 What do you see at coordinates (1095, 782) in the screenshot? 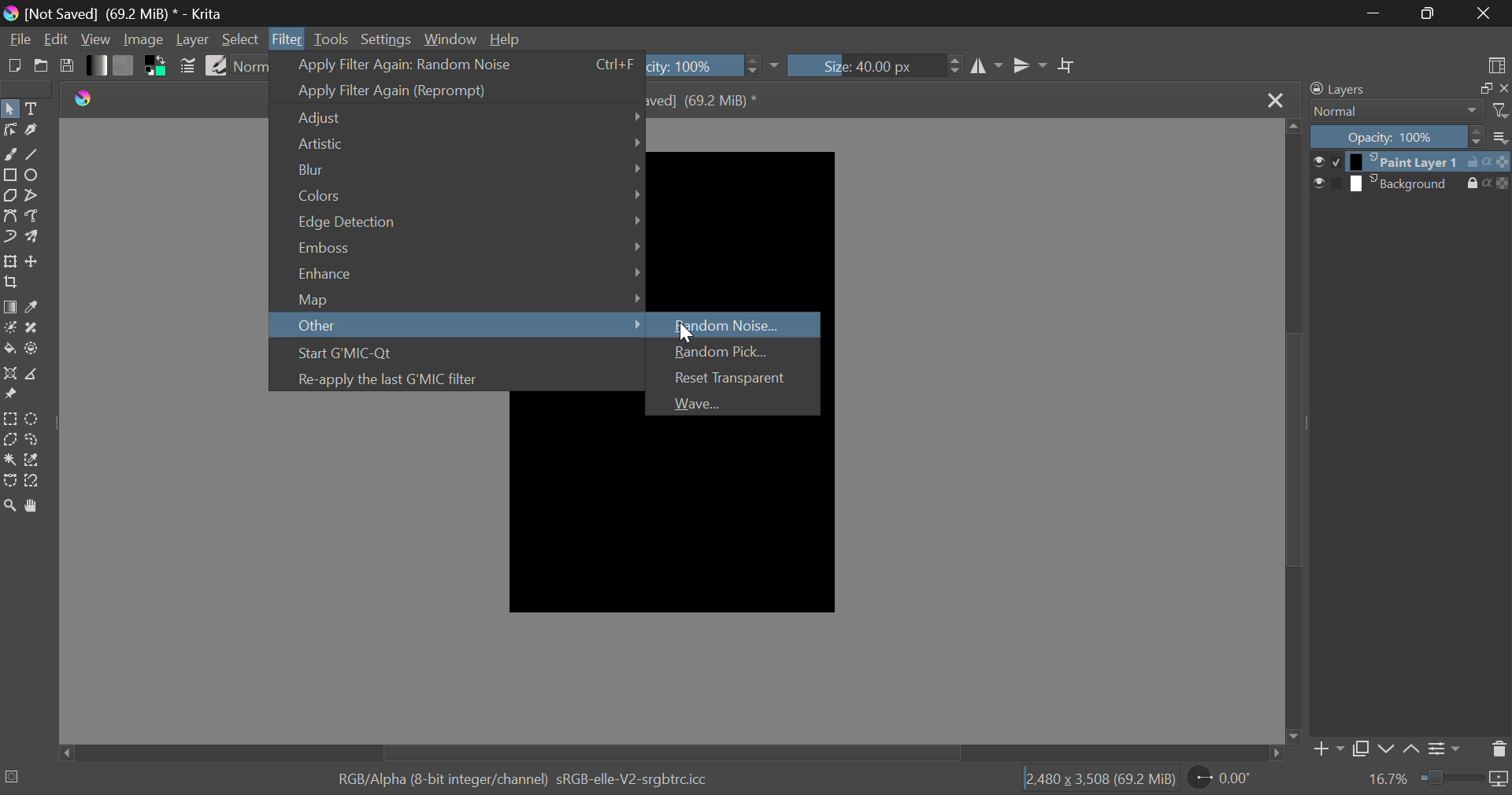
I see `2,480x3508 (69.2) mib` at bounding box center [1095, 782].